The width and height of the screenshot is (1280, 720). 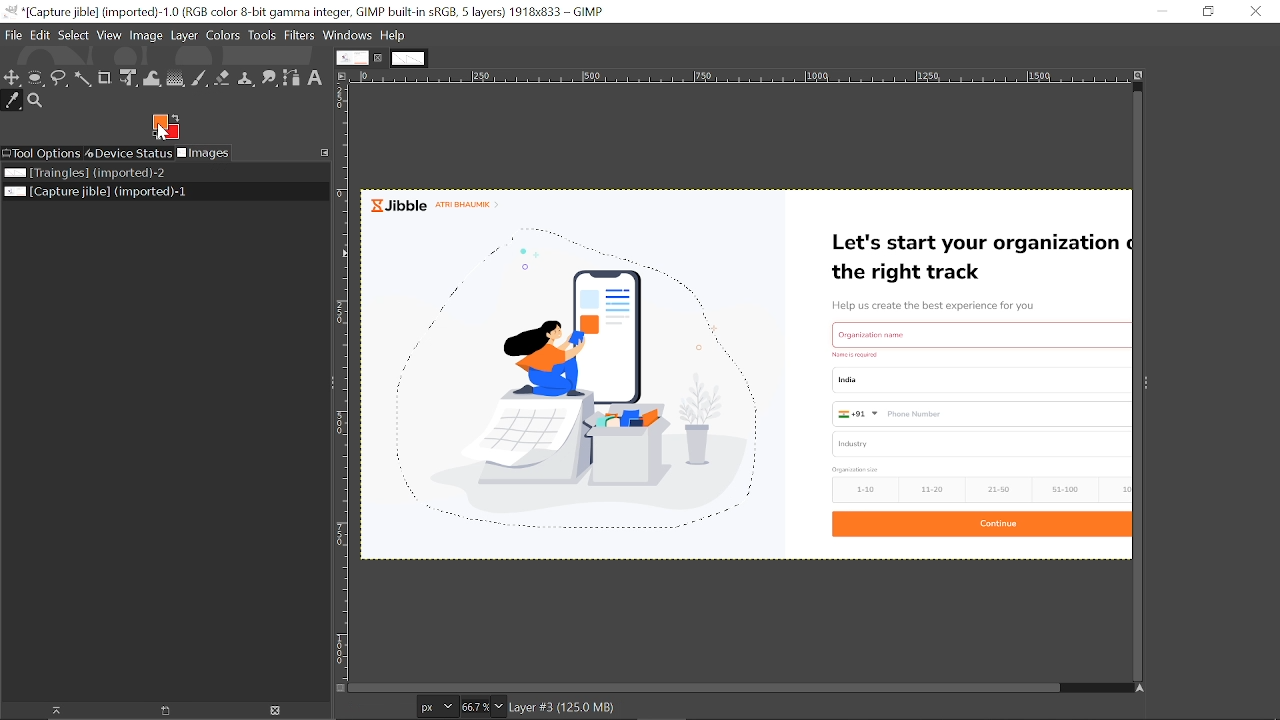 What do you see at coordinates (152, 79) in the screenshot?
I see `Wrap text tool` at bounding box center [152, 79].